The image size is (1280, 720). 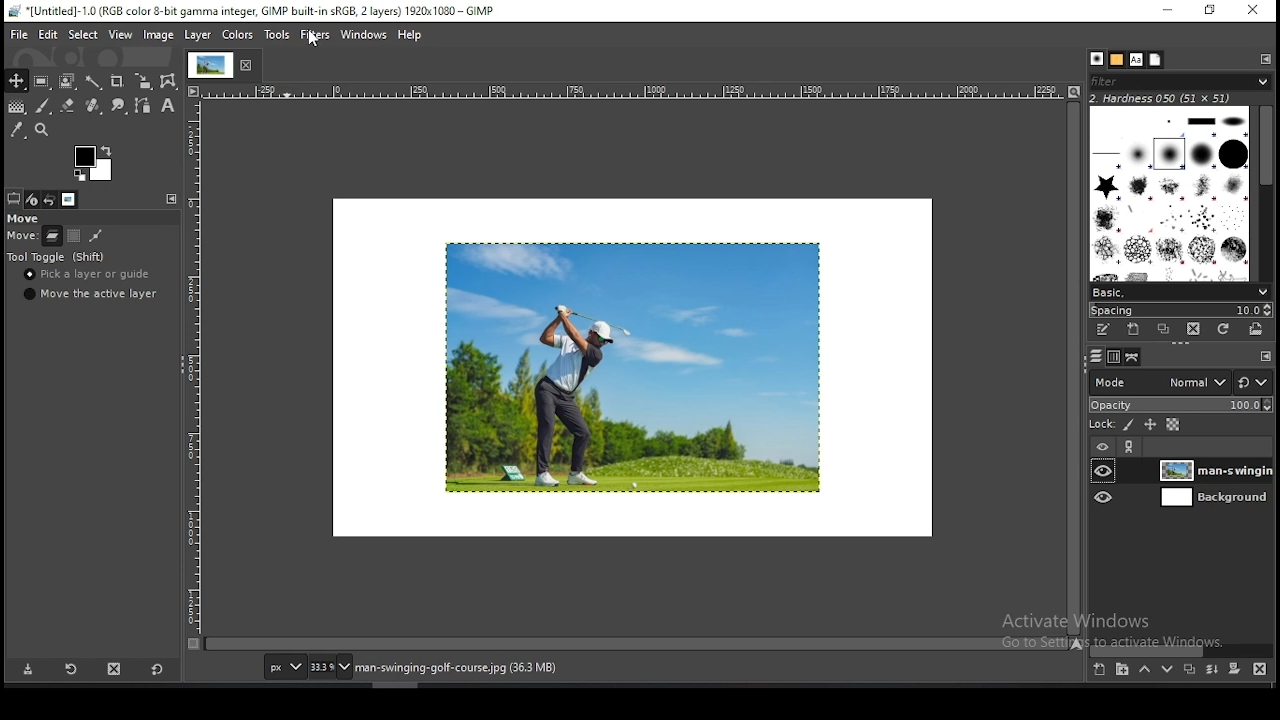 What do you see at coordinates (32, 199) in the screenshot?
I see `device status` at bounding box center [32, 199].